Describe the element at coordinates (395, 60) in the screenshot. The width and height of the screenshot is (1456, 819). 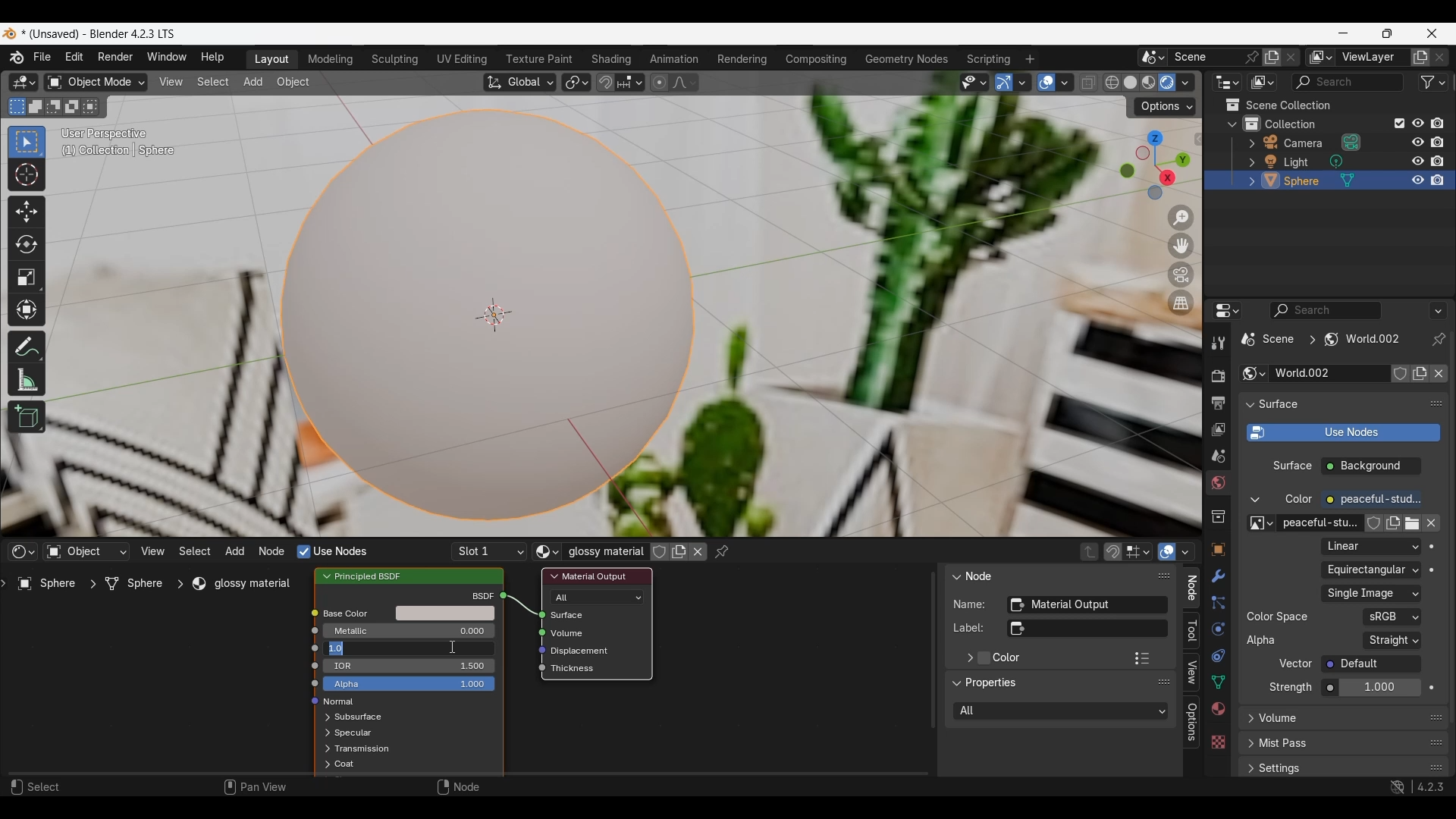
I see `Sculpting workspace` at that location.